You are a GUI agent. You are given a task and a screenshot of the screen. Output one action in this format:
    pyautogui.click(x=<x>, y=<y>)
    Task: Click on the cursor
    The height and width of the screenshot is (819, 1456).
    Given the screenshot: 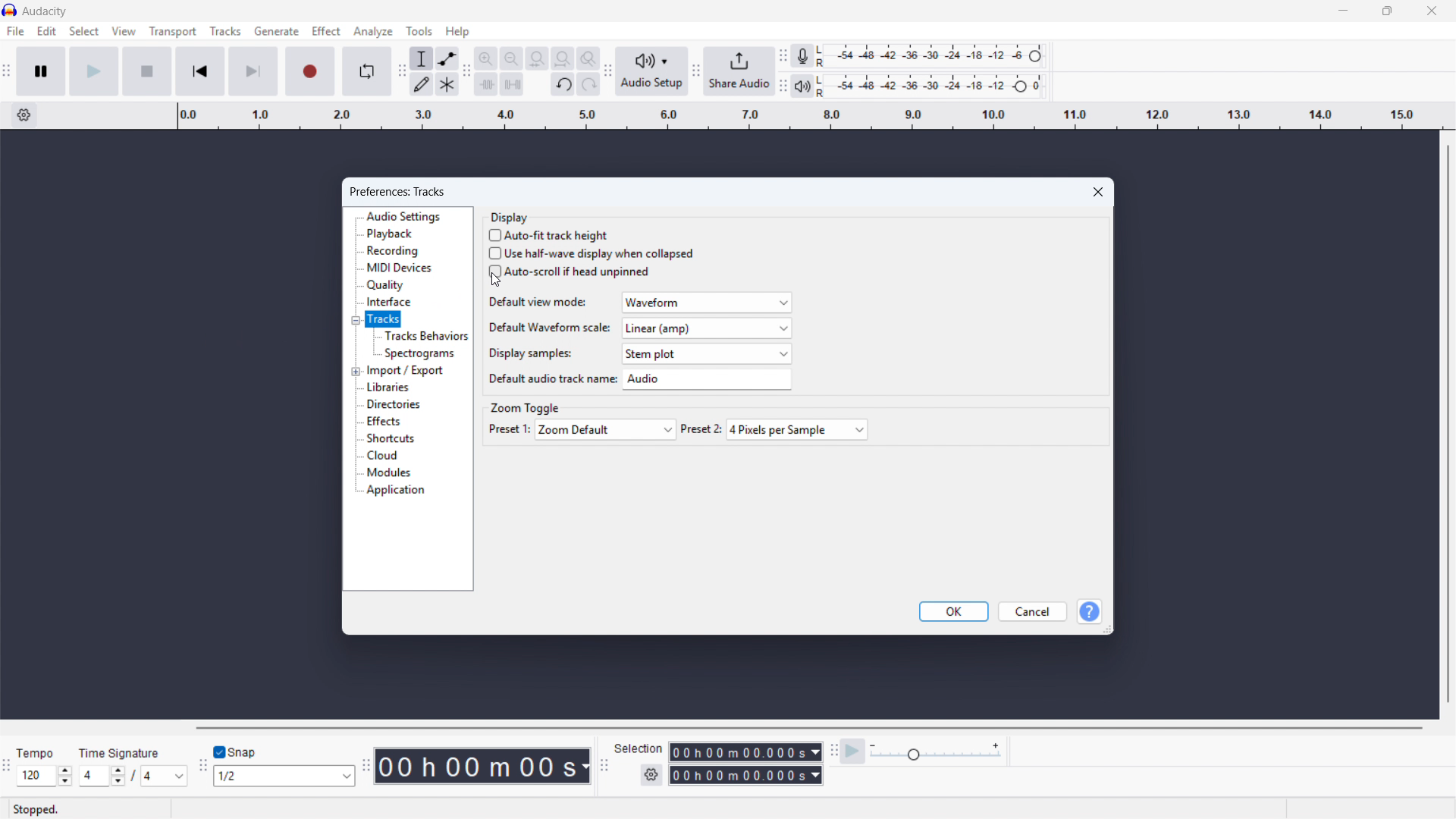 What is the action you would take?
    pyautogui.click(x=493, y=280)
    